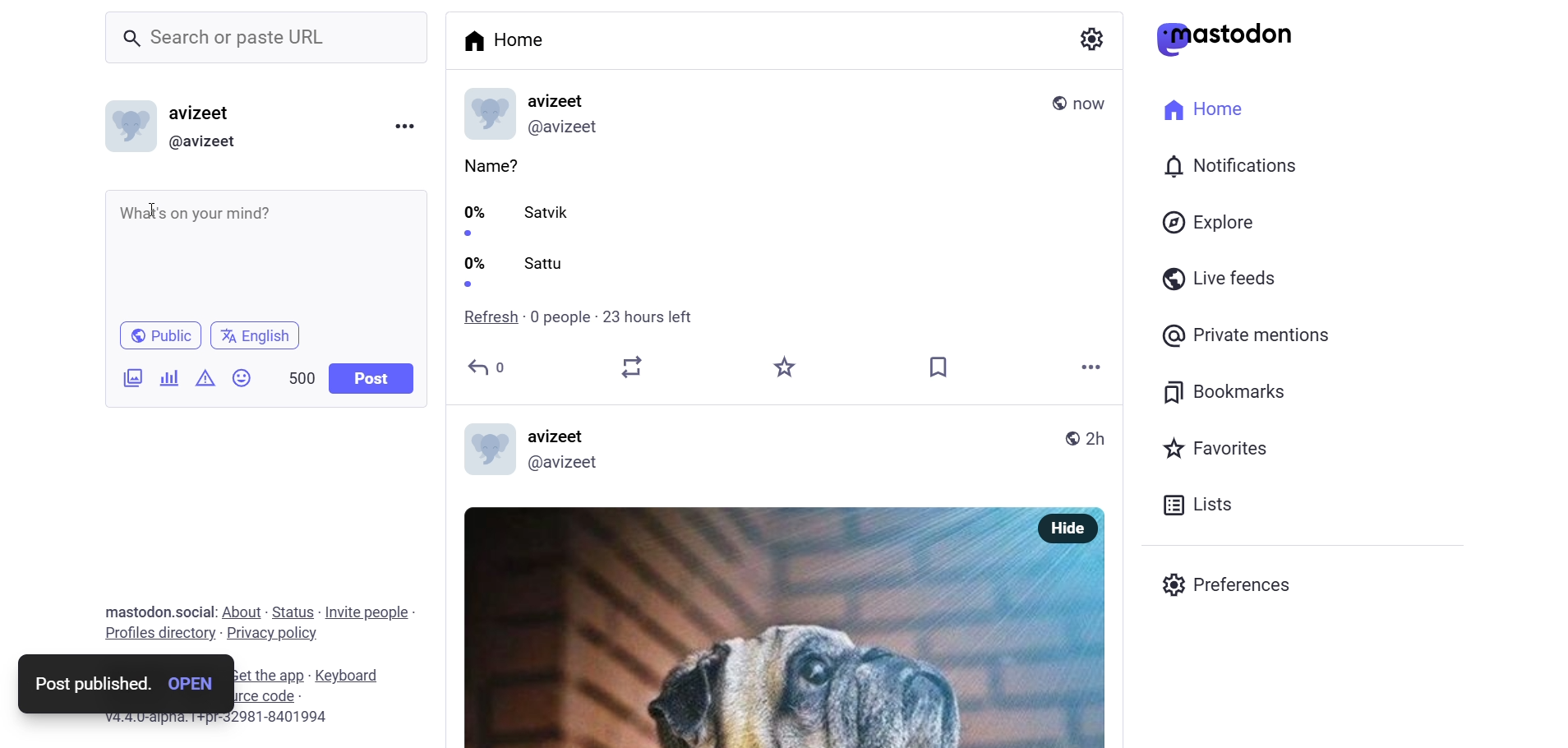 The height and width of the screenshot is (748, 1568). I want to click on id, so click(126, 130).